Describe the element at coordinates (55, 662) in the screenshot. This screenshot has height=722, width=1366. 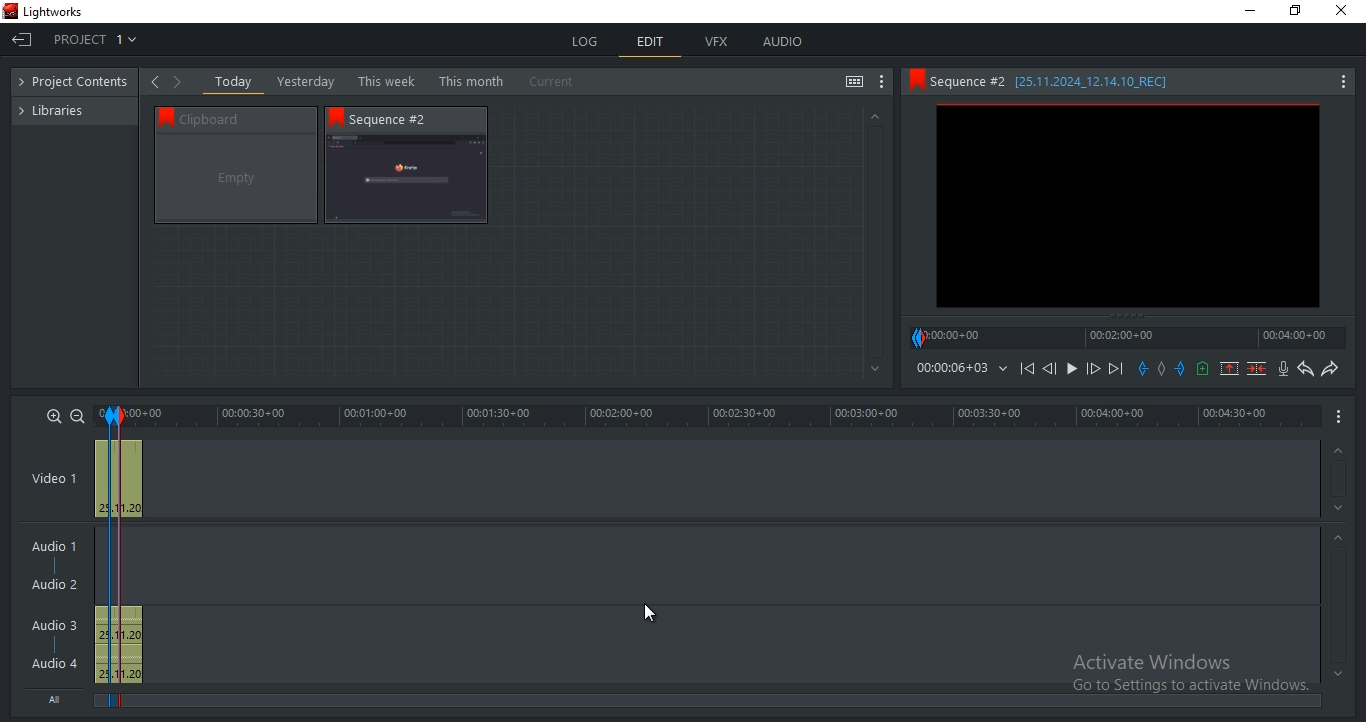
I see `Audio 4` at that location.